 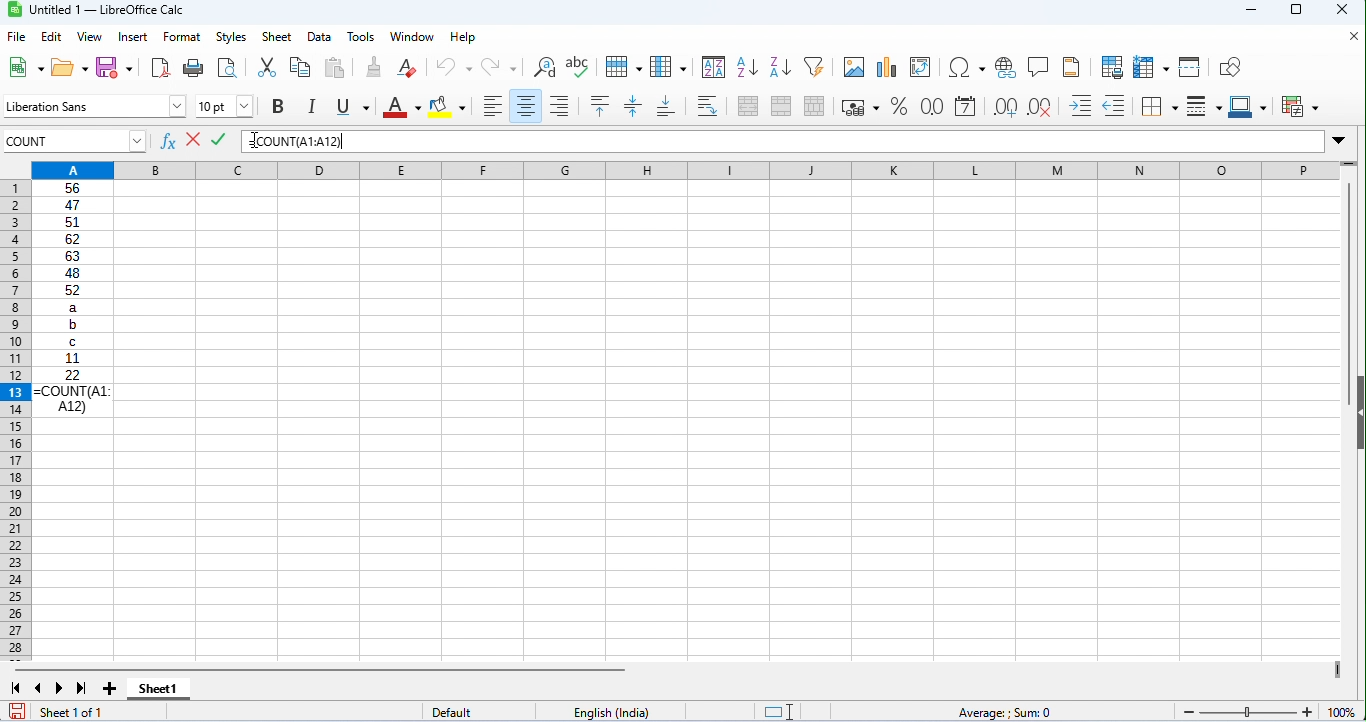 I want to click on insert header and footer, so click(x=1072, y=66).